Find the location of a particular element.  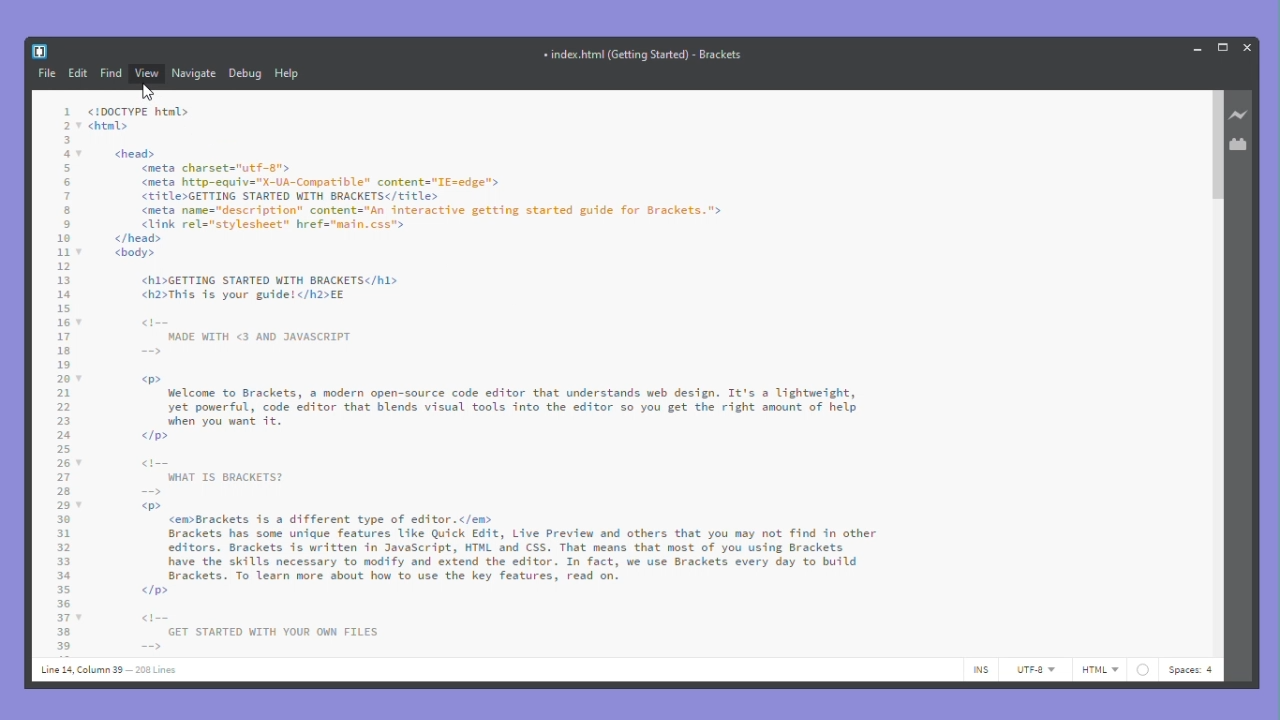

HTML is located at coordinates (1114, 670).